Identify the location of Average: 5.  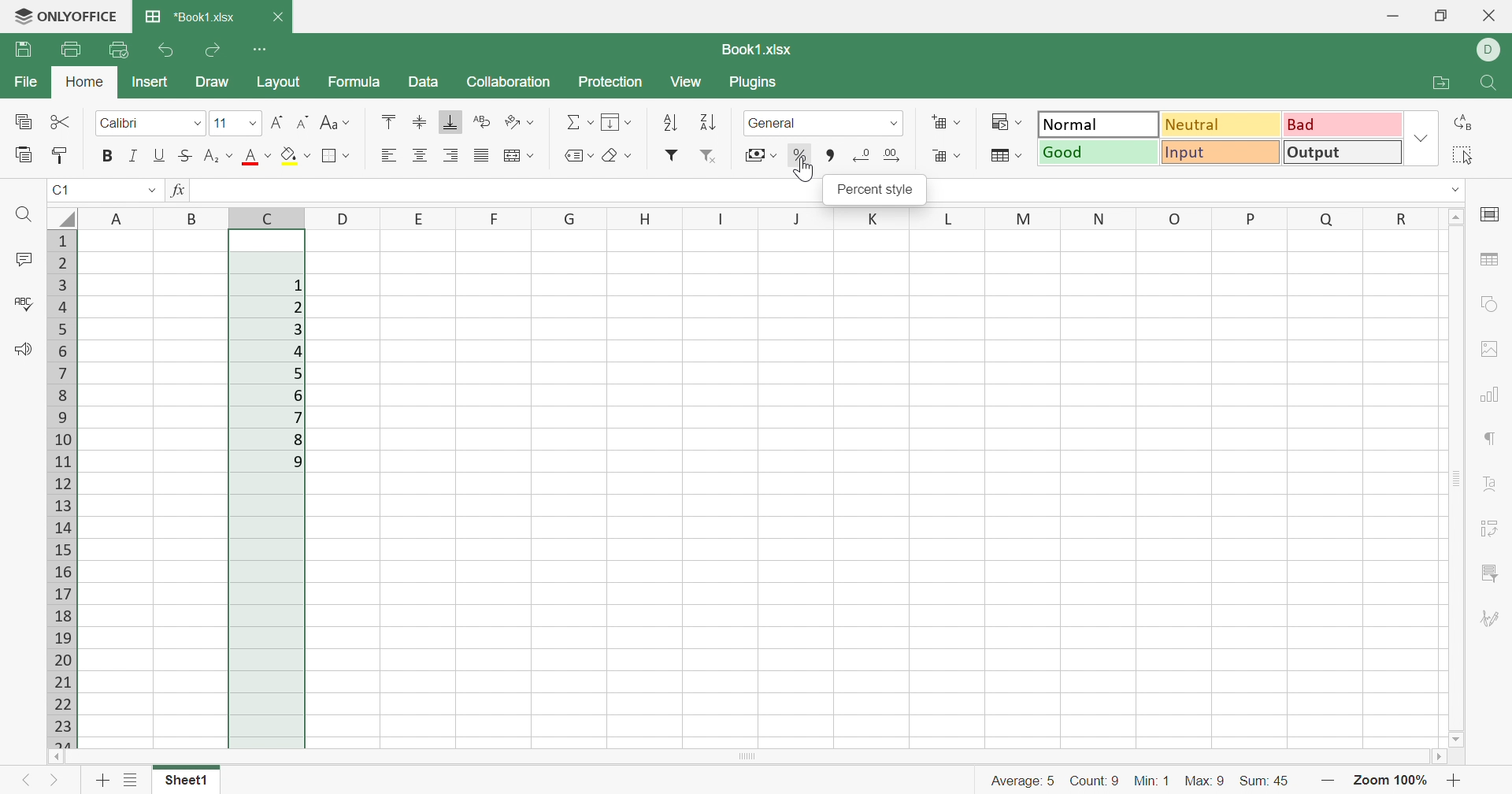
(1025, 780).